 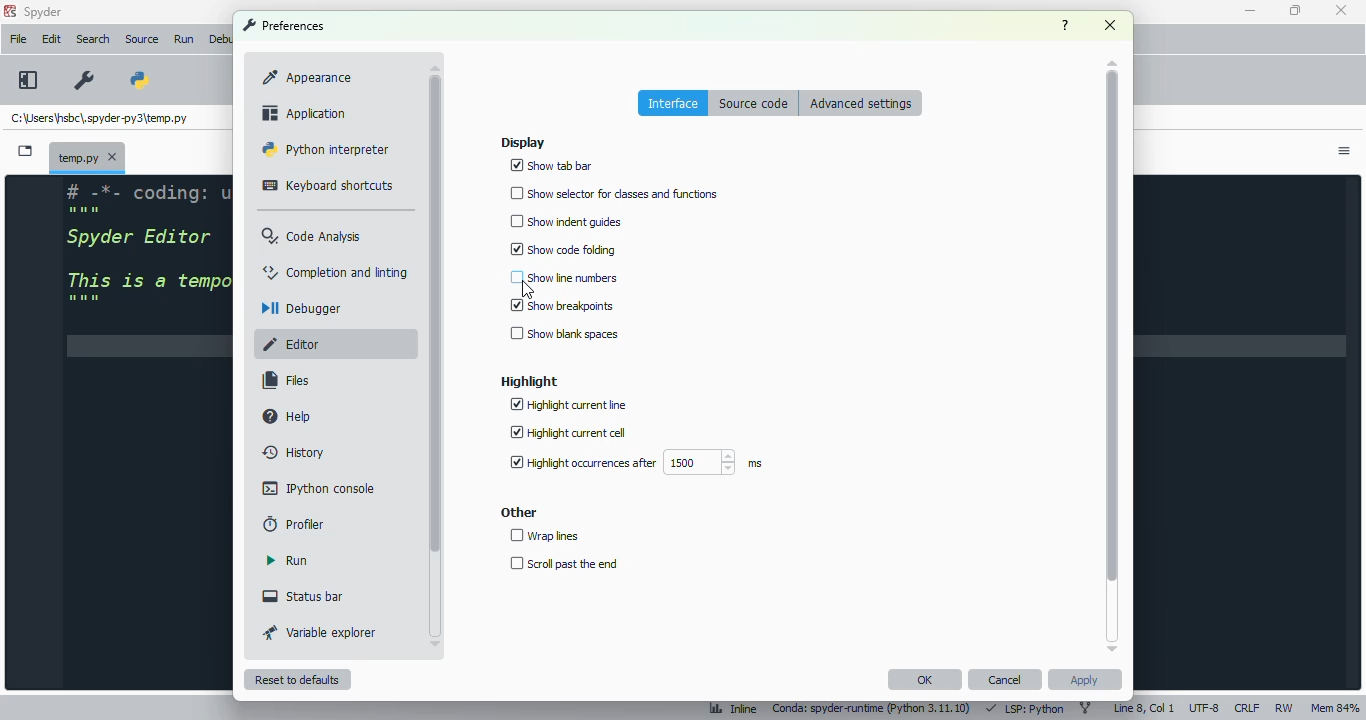 I want to click on debugger, so click(x=304, y=308).